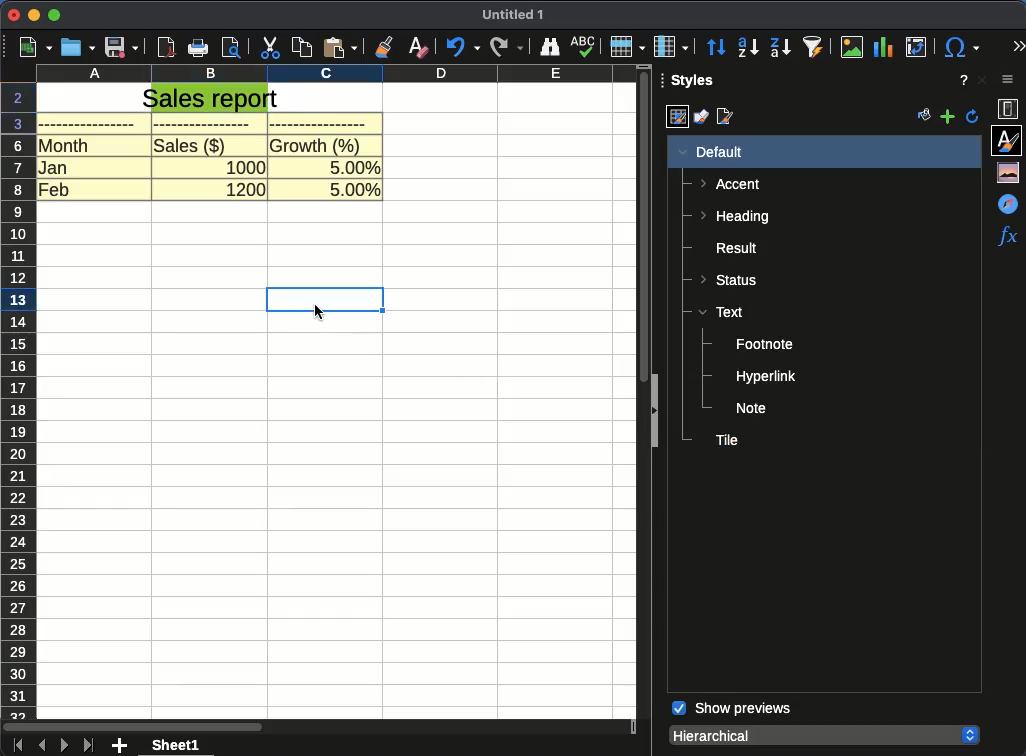  What do you see at coordinates (326, 296) in the screenshot?
I see `cell selected` at bounding box center [326, 296].